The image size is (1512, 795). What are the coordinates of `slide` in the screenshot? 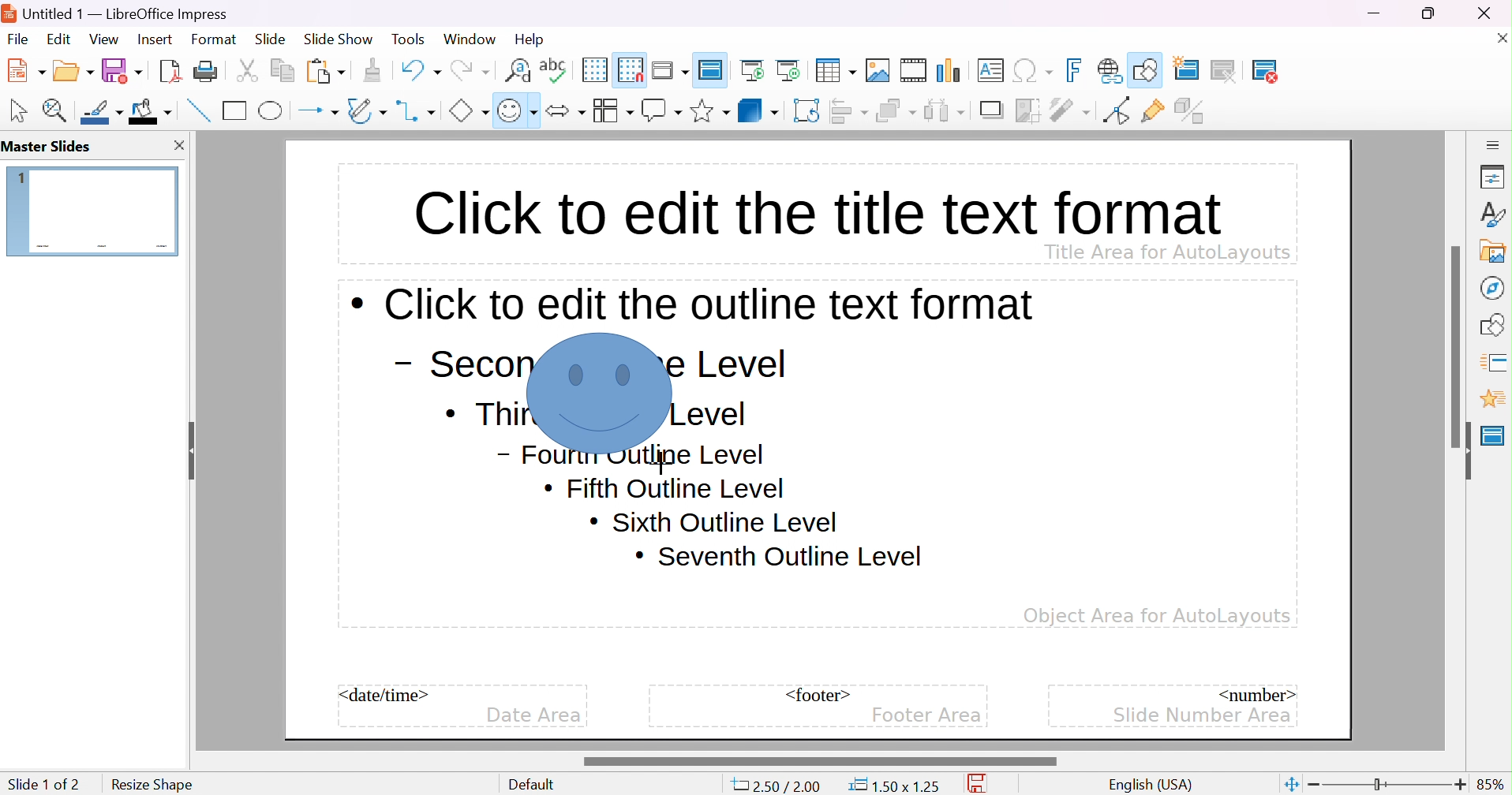 It's located at (271, 39).